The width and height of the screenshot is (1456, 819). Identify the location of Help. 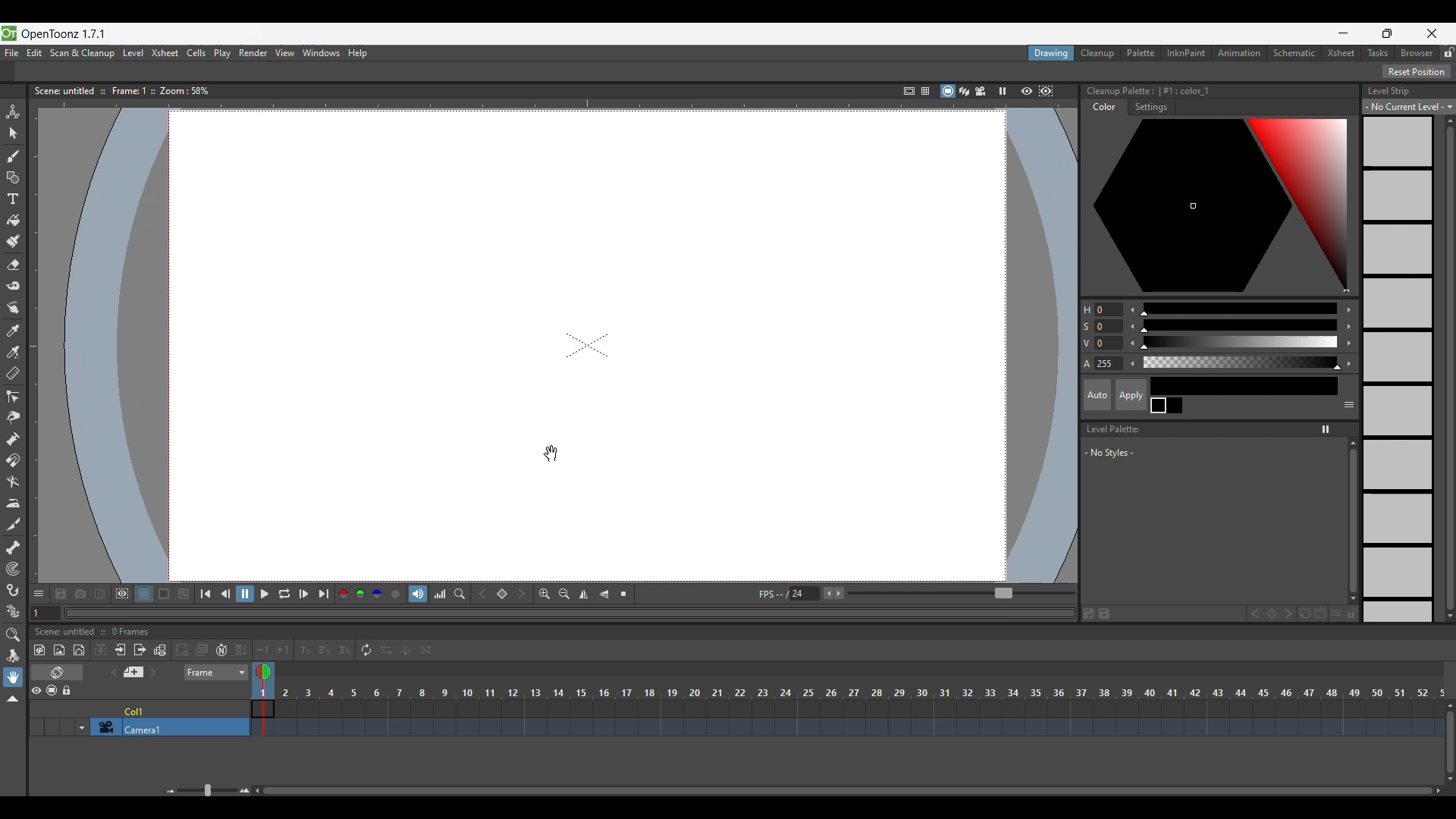
(358, 54).